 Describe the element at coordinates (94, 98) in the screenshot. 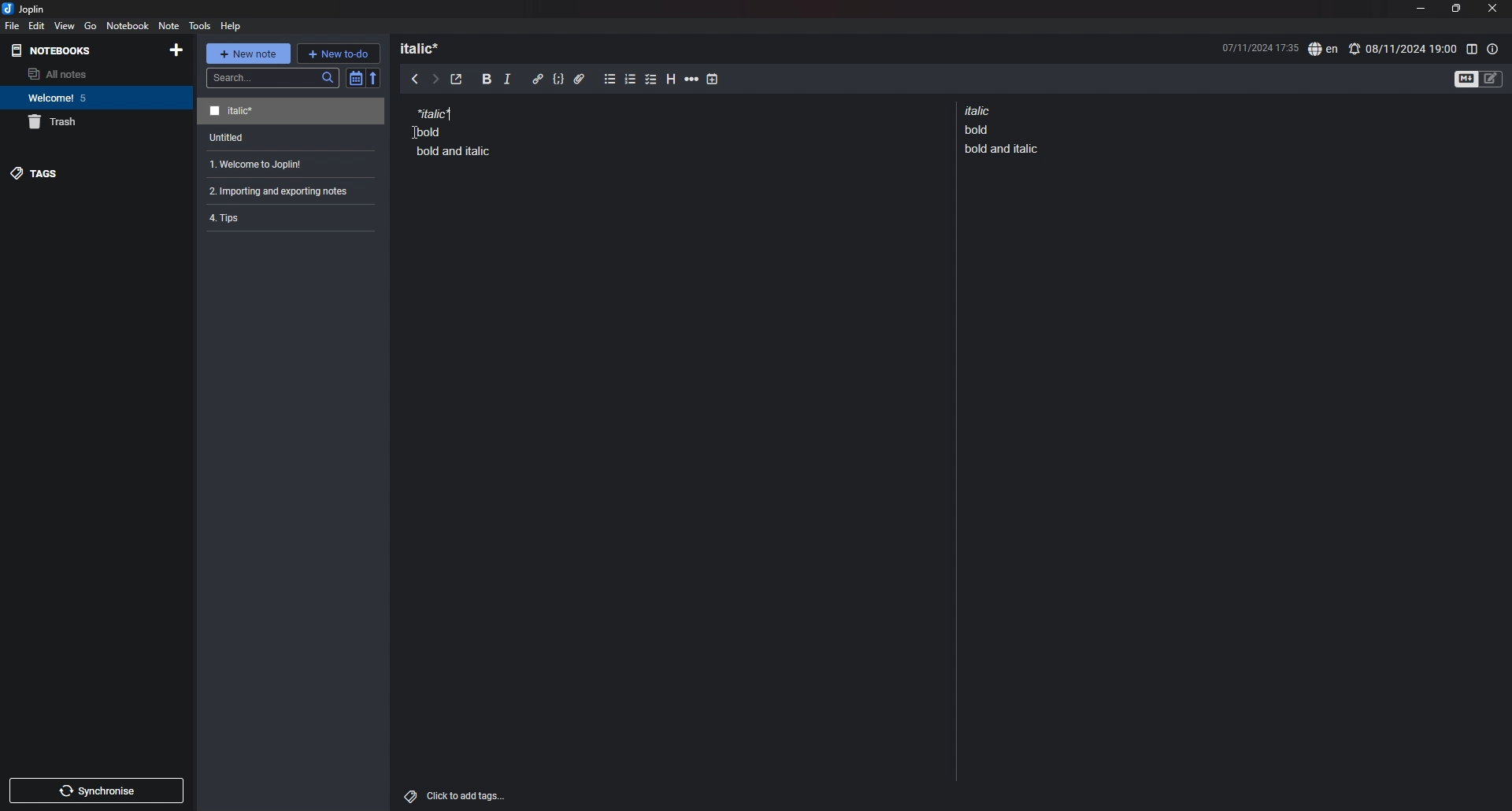

I see `notebook` at that location.